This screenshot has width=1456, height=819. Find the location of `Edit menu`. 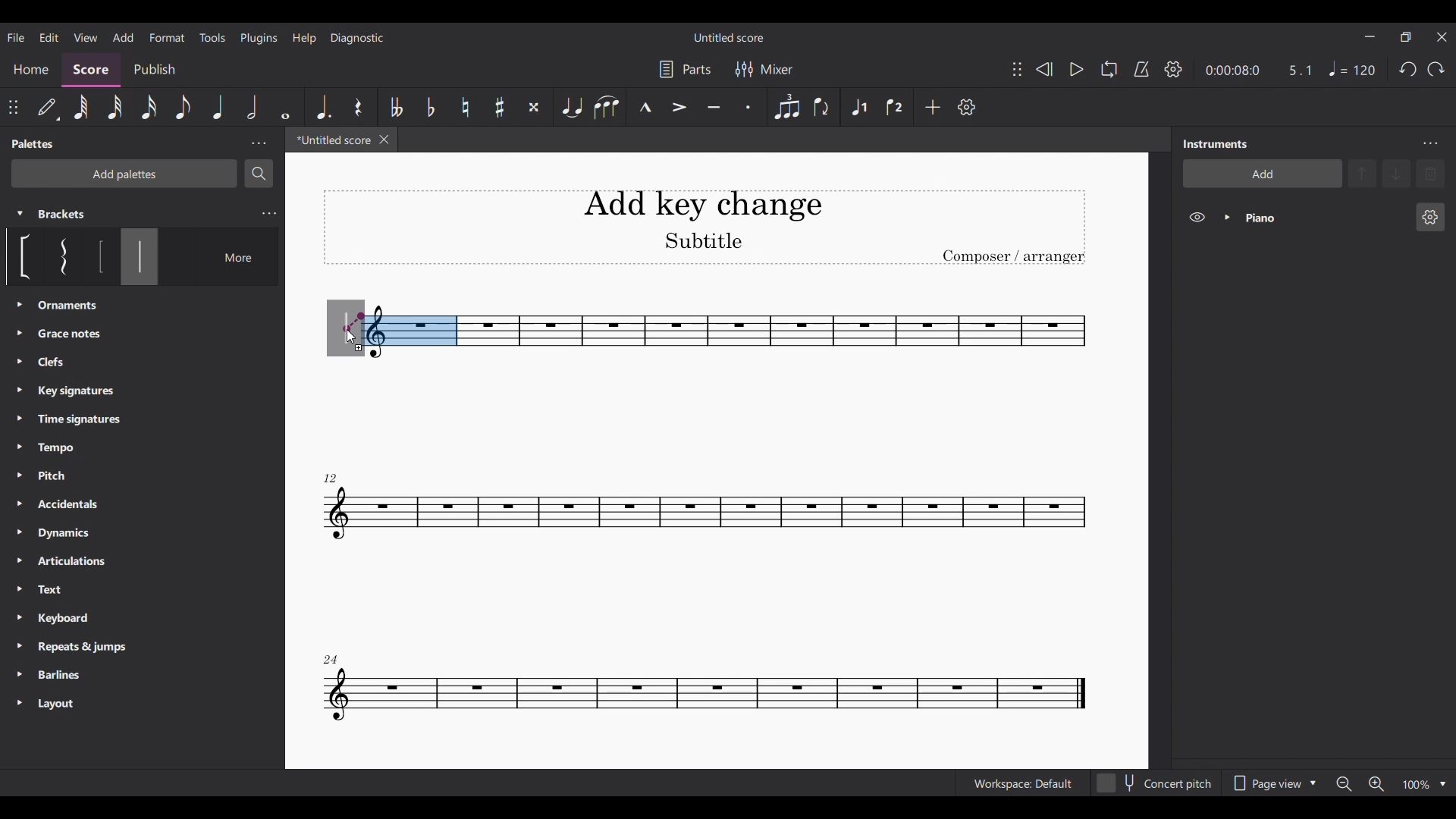

Edit menu is located at coordinates (49, 38).